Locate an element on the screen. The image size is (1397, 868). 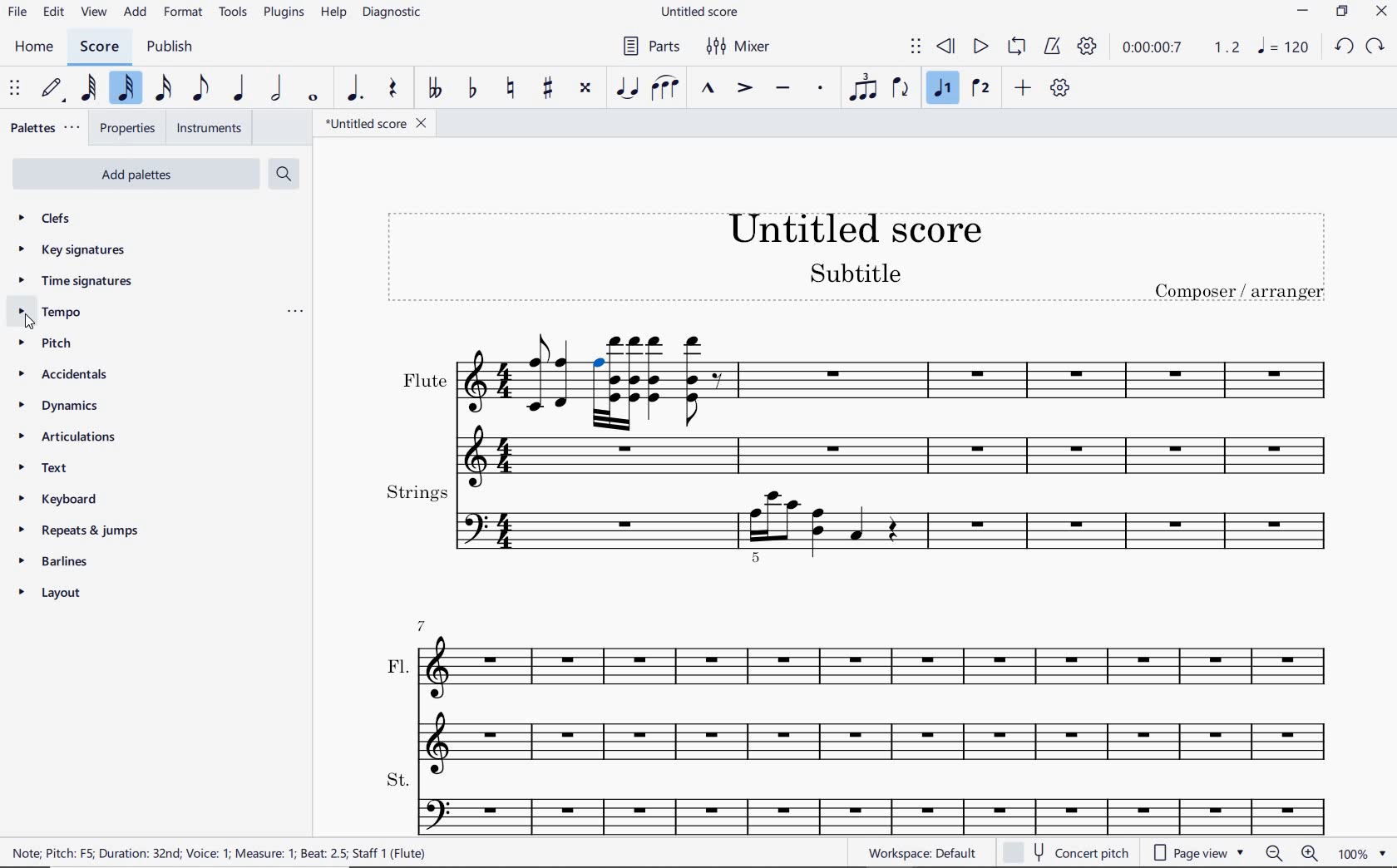
file name is located at coordinates (704, 11).